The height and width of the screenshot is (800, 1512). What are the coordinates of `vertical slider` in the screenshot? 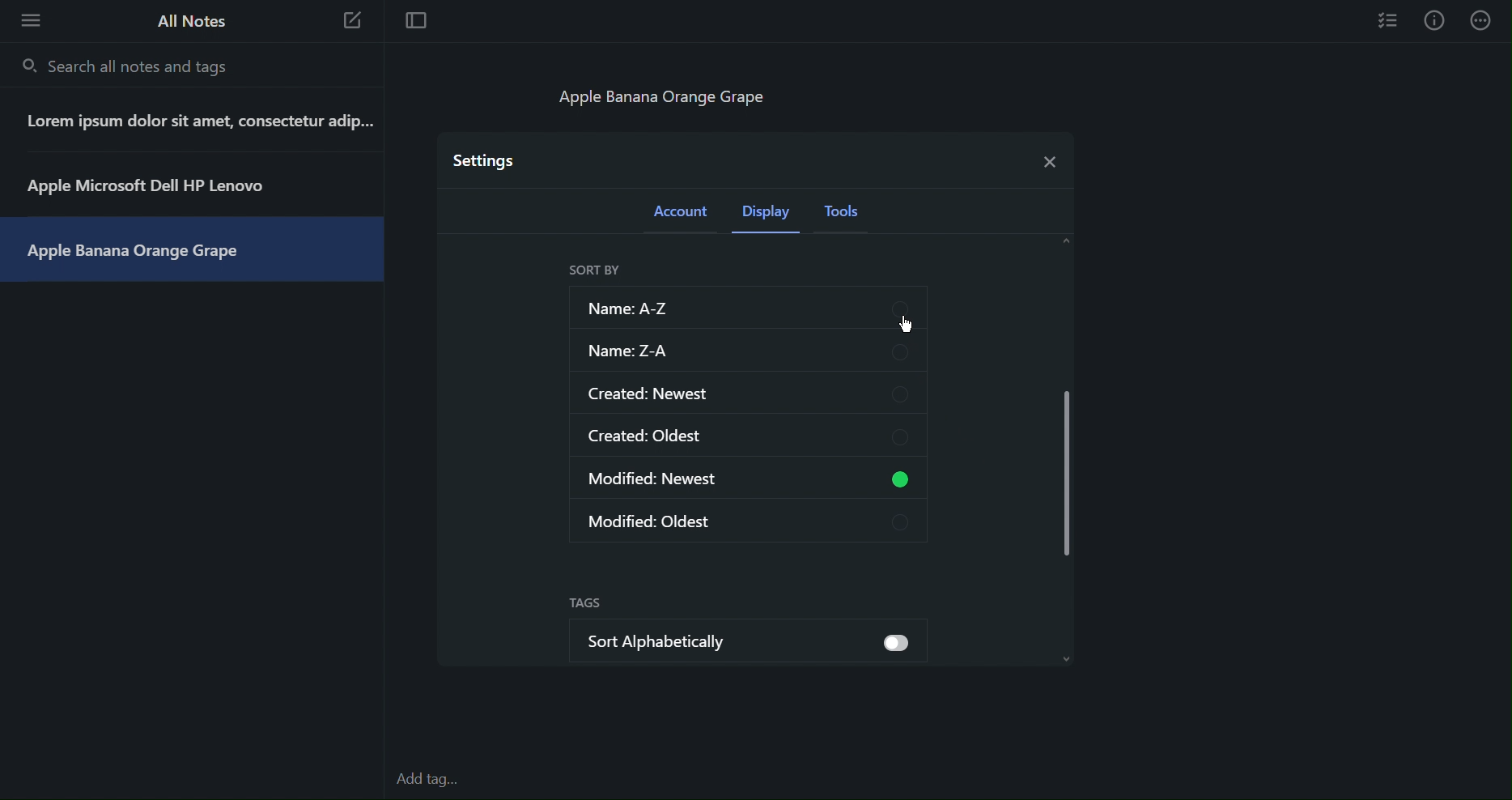 It's located at (1068, 466).